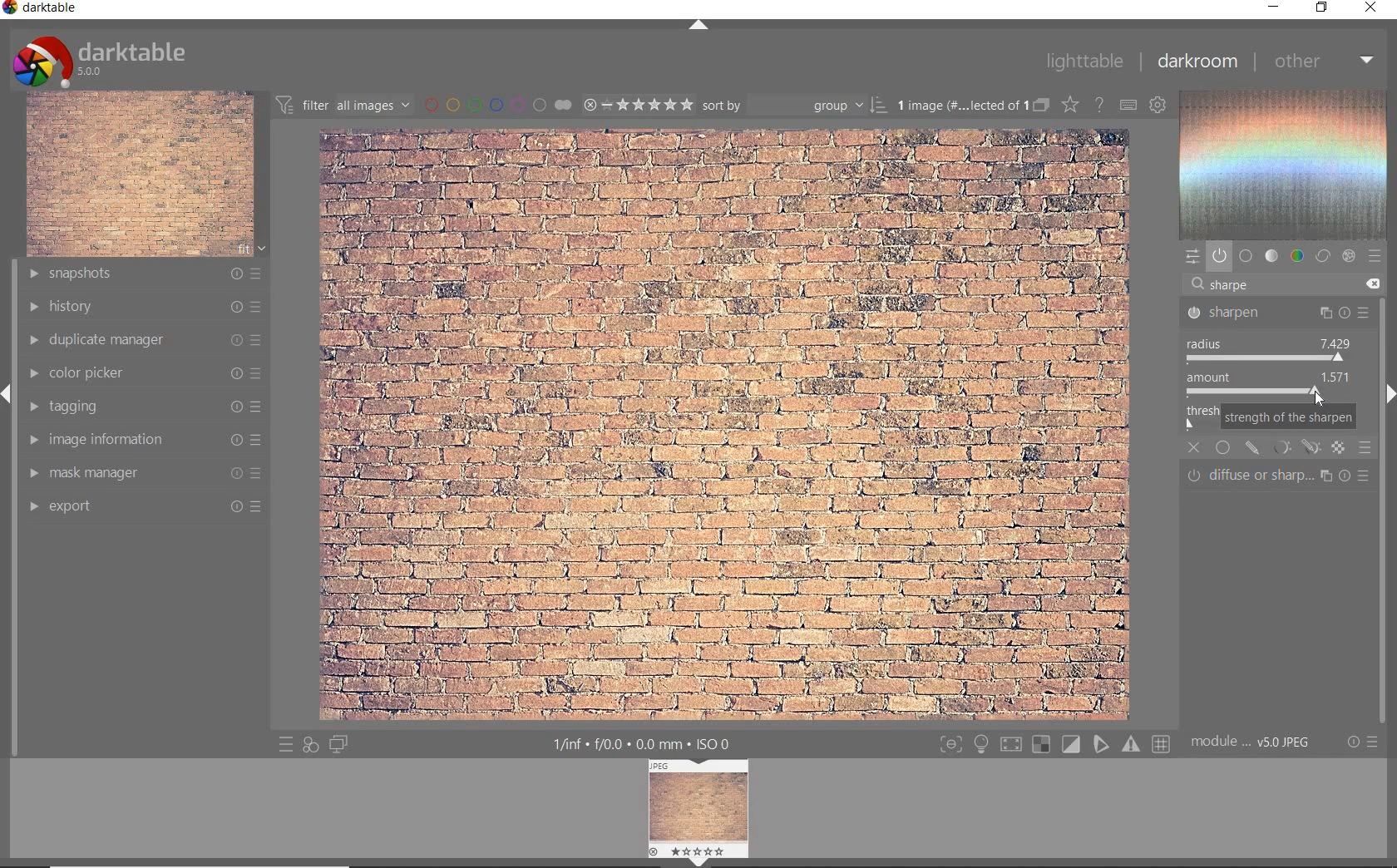 This screenshot has height=868, width=1397. What do you see at coordinates (1349, 255) in the screenshot?
I see `effect` at bounding box center [1349, 255].